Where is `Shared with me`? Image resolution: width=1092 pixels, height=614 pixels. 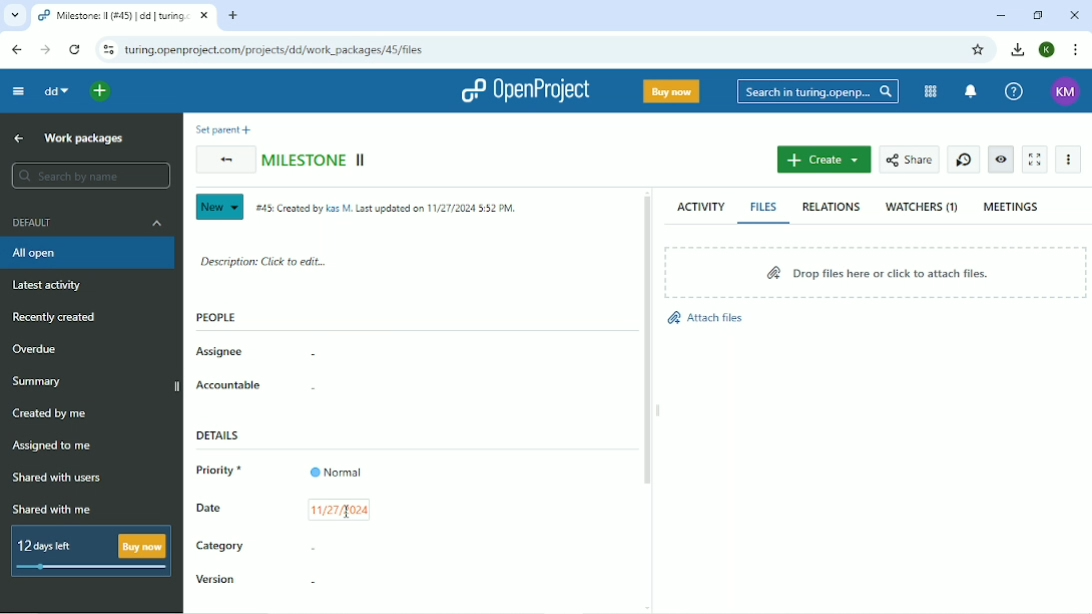
Shared with me is located at coordinates (55, 509).